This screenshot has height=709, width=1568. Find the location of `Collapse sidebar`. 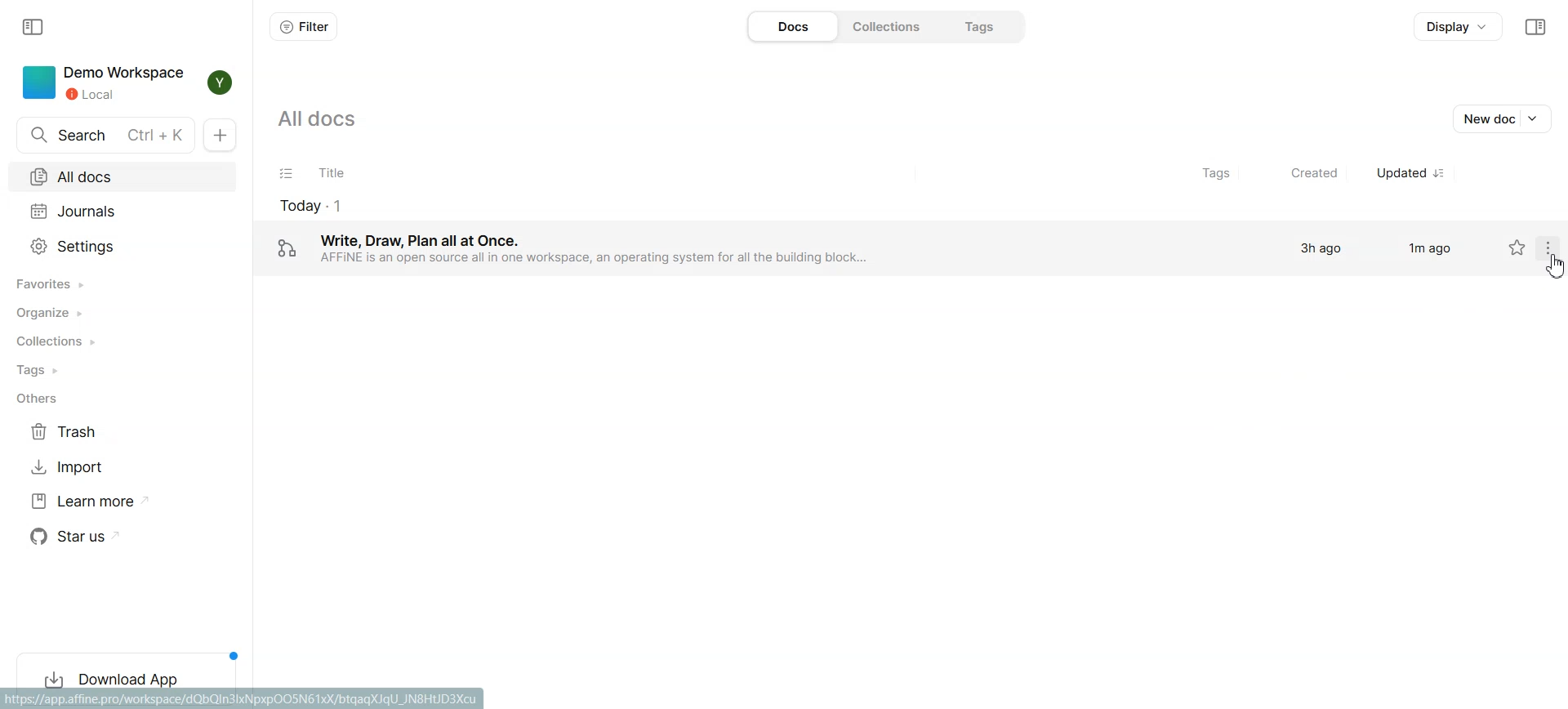

Collapse sidebar is located at coordinates (31, 27).